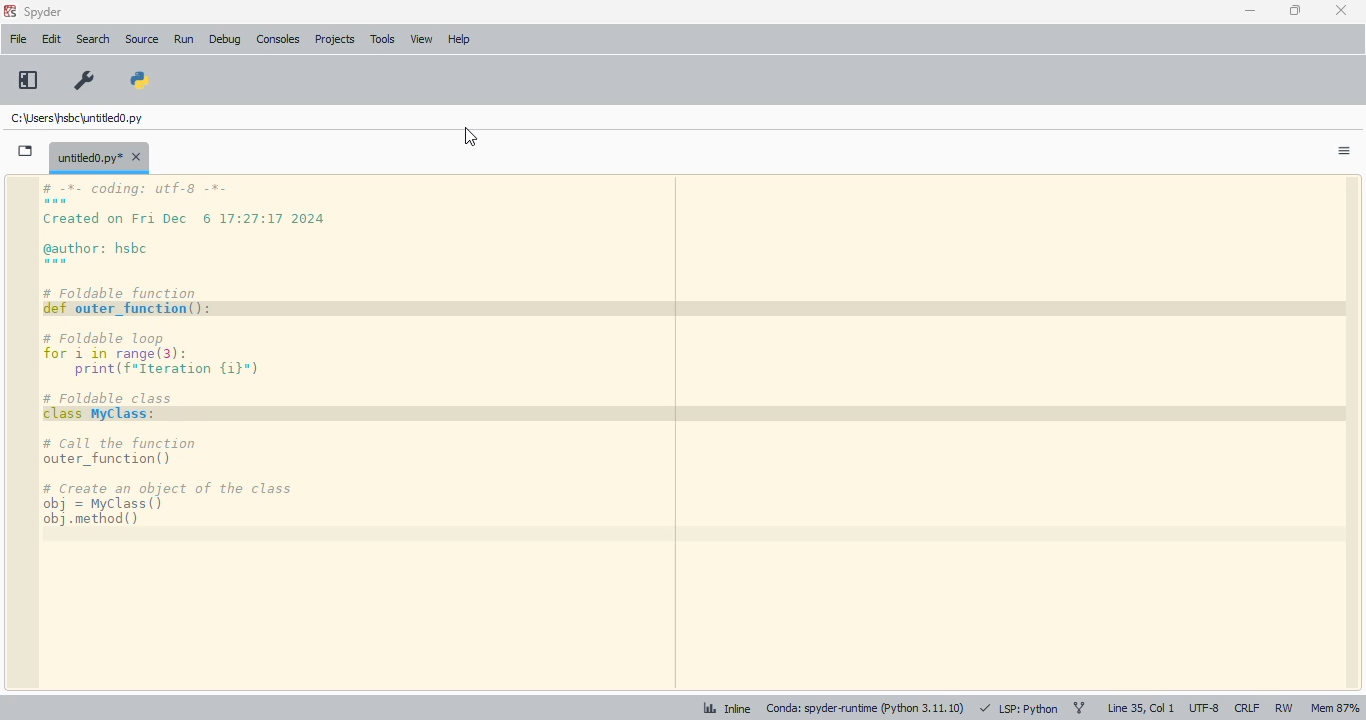 The width and height of the screenshot is (1366, 720). Describe the element at coordinates (76, 118) in the screenshot. I see `untitled0.py` at that location.